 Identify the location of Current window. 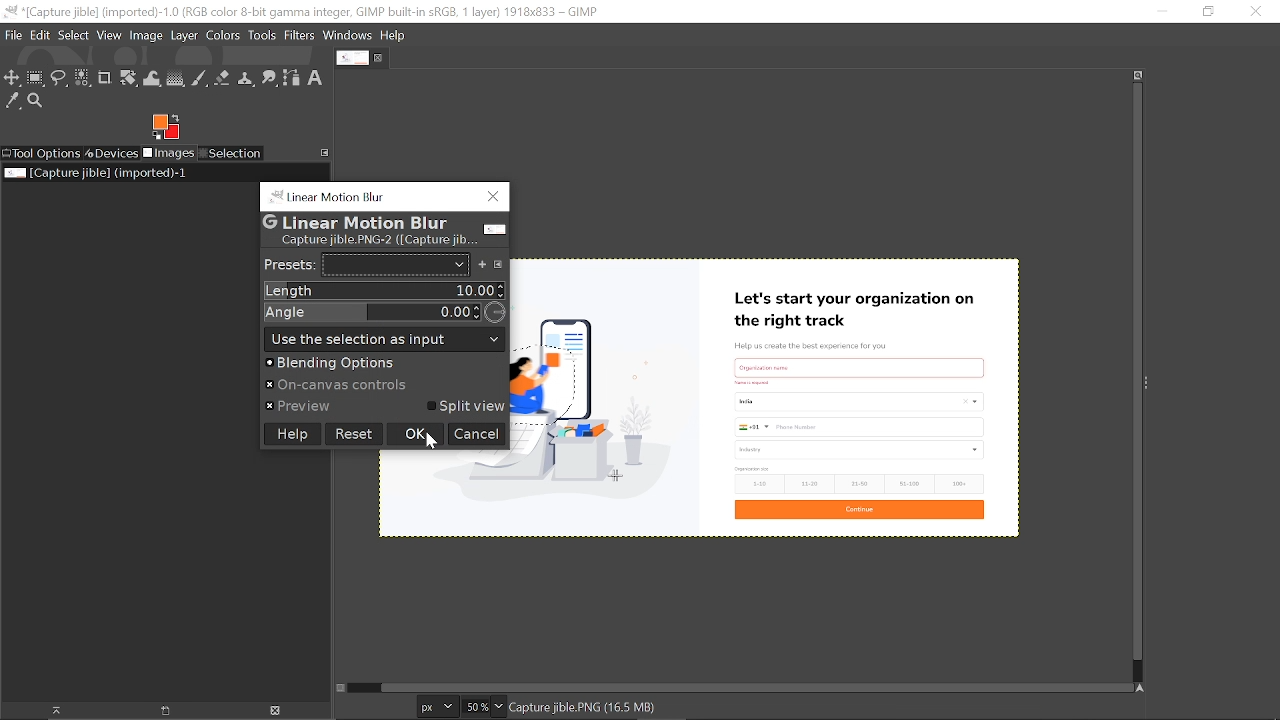
(304, 12).